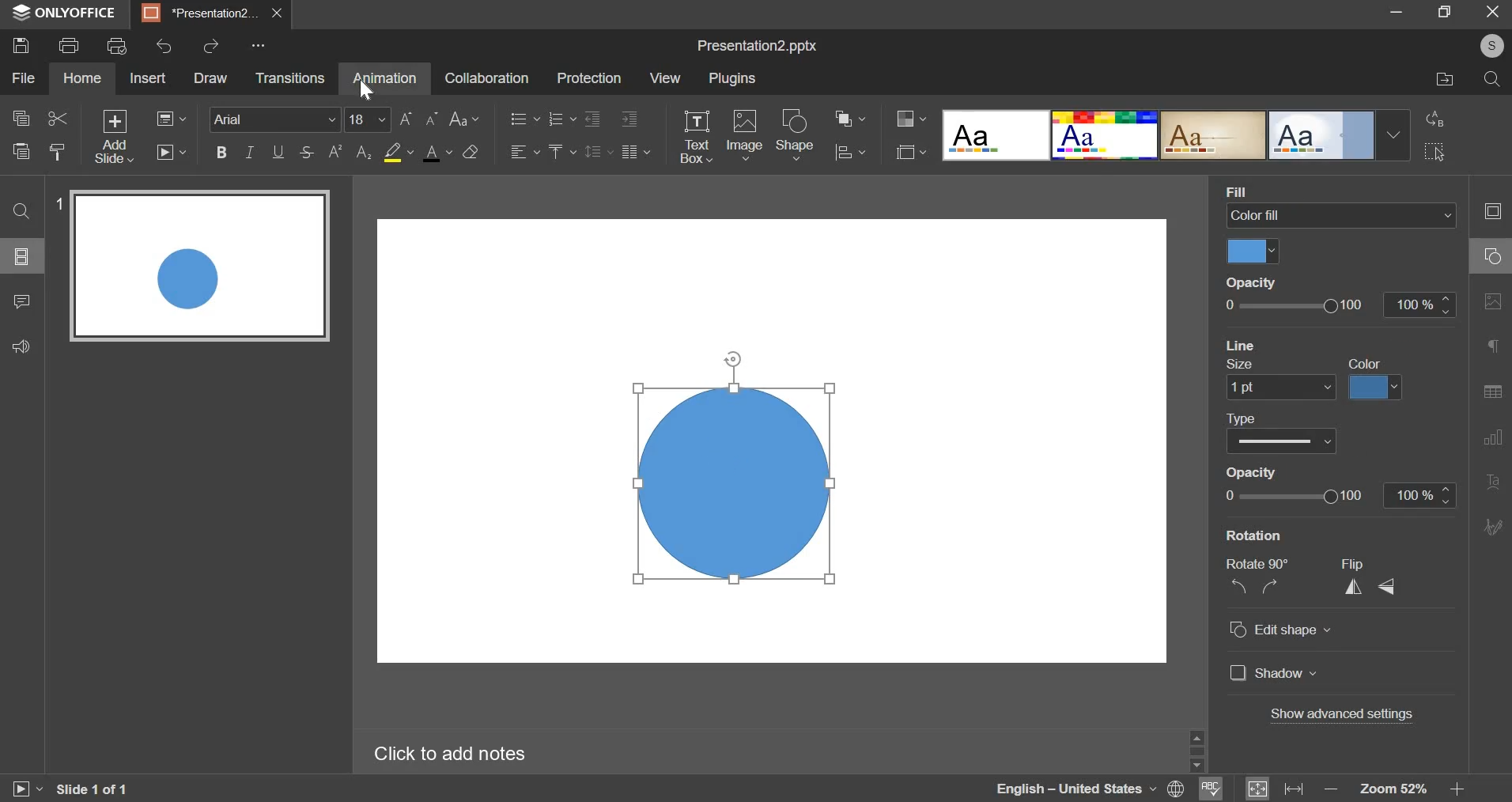  I want to click on align shape, so click(848, 151).